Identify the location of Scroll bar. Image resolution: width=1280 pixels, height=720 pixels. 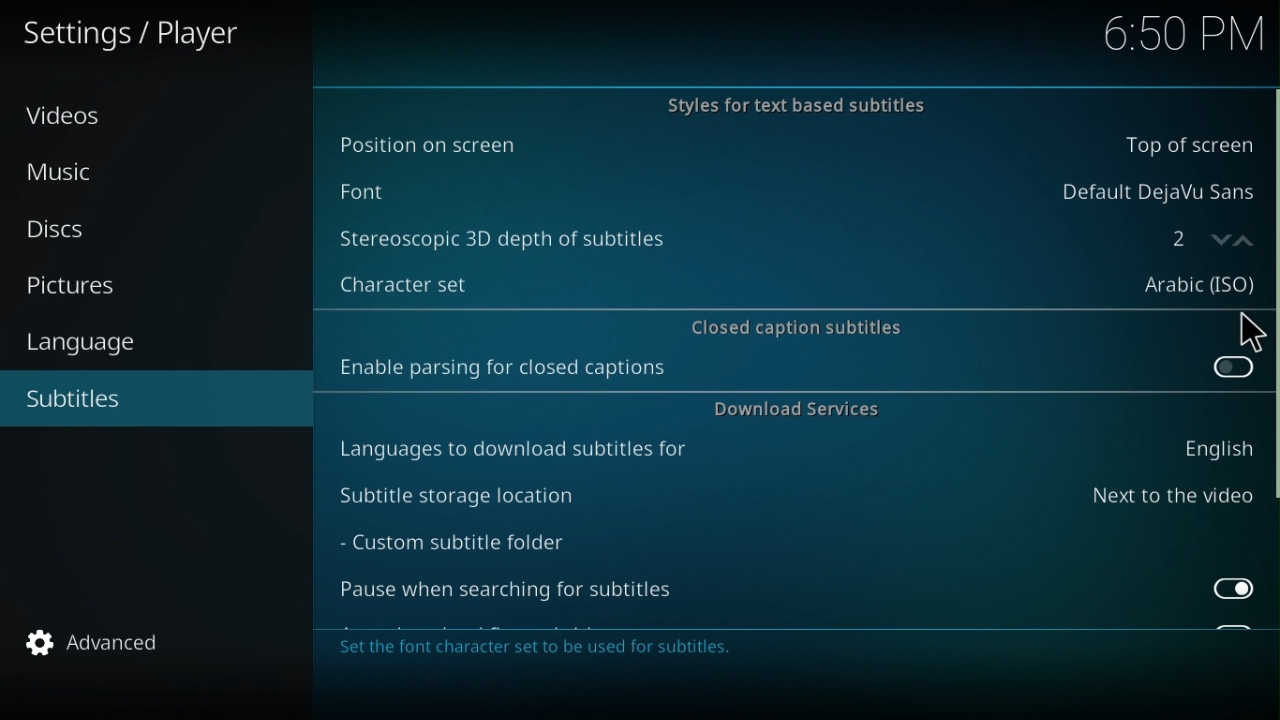
(1272, 294).